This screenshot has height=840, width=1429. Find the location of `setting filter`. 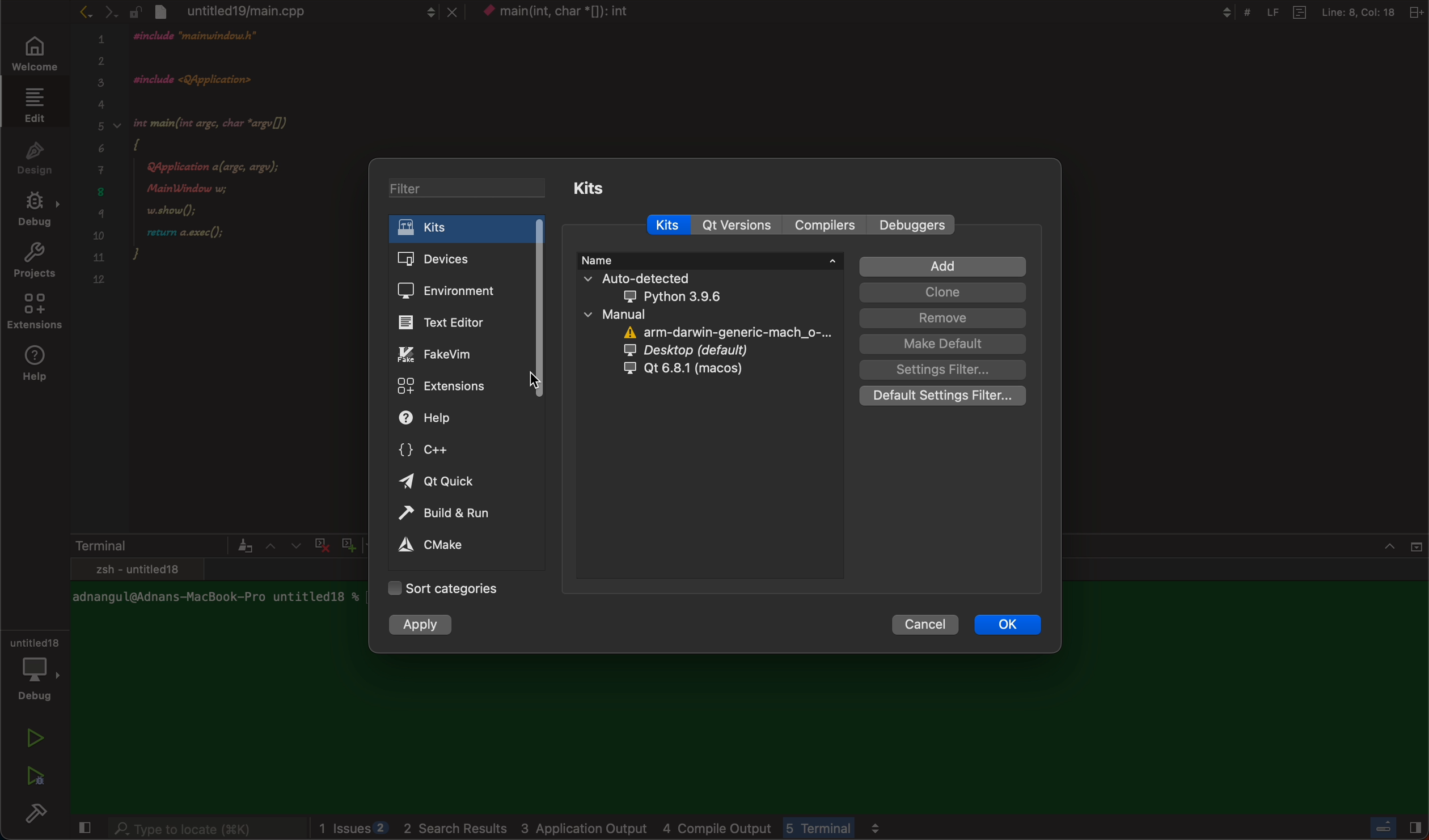

setting filter is located at coordinates (941, 370).